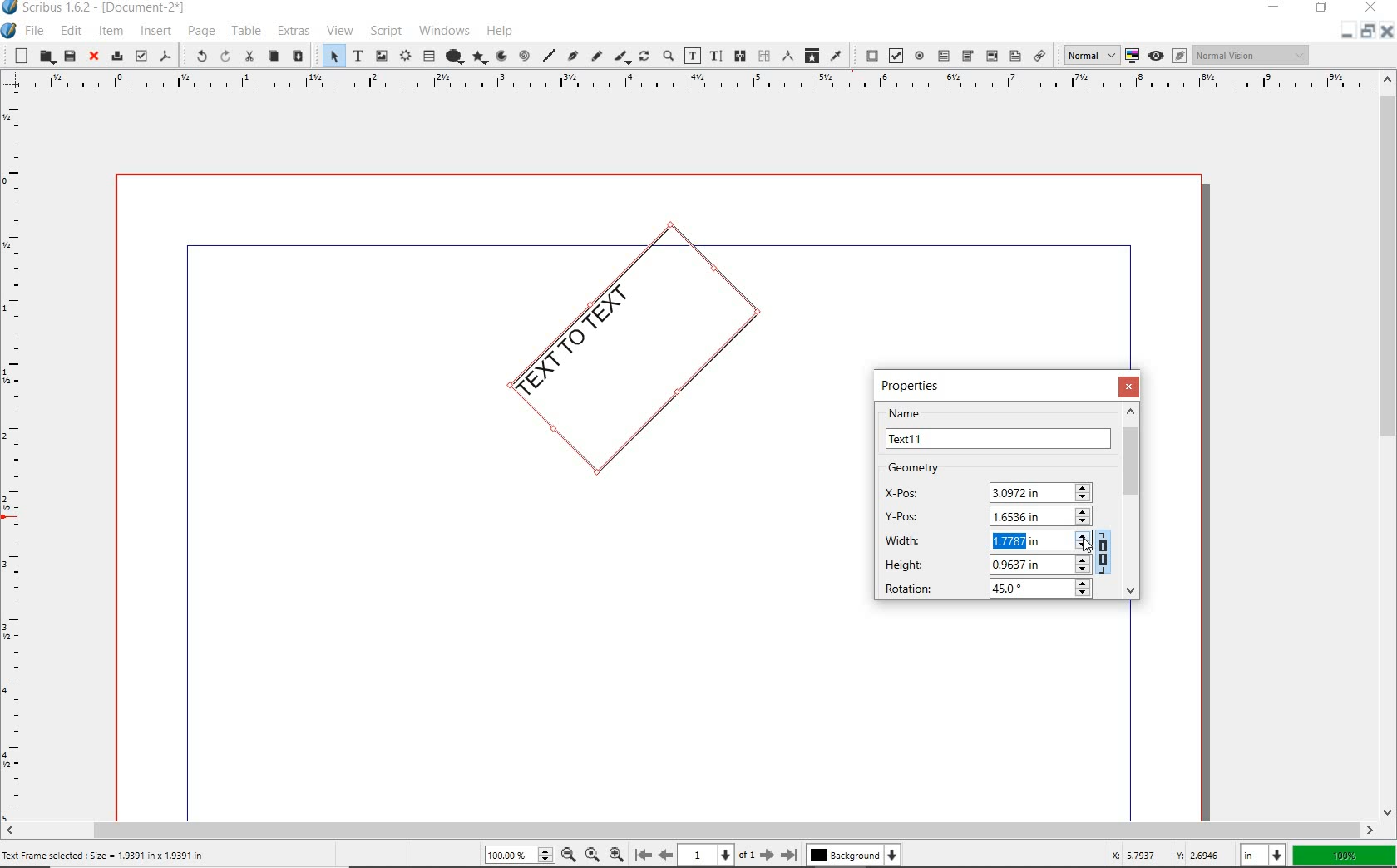 Image resolution: width=1397 pixels, height=868 pixels. Describe the element at coordinates (573, 854) in the screenshot. I see `zoom out` at that location.